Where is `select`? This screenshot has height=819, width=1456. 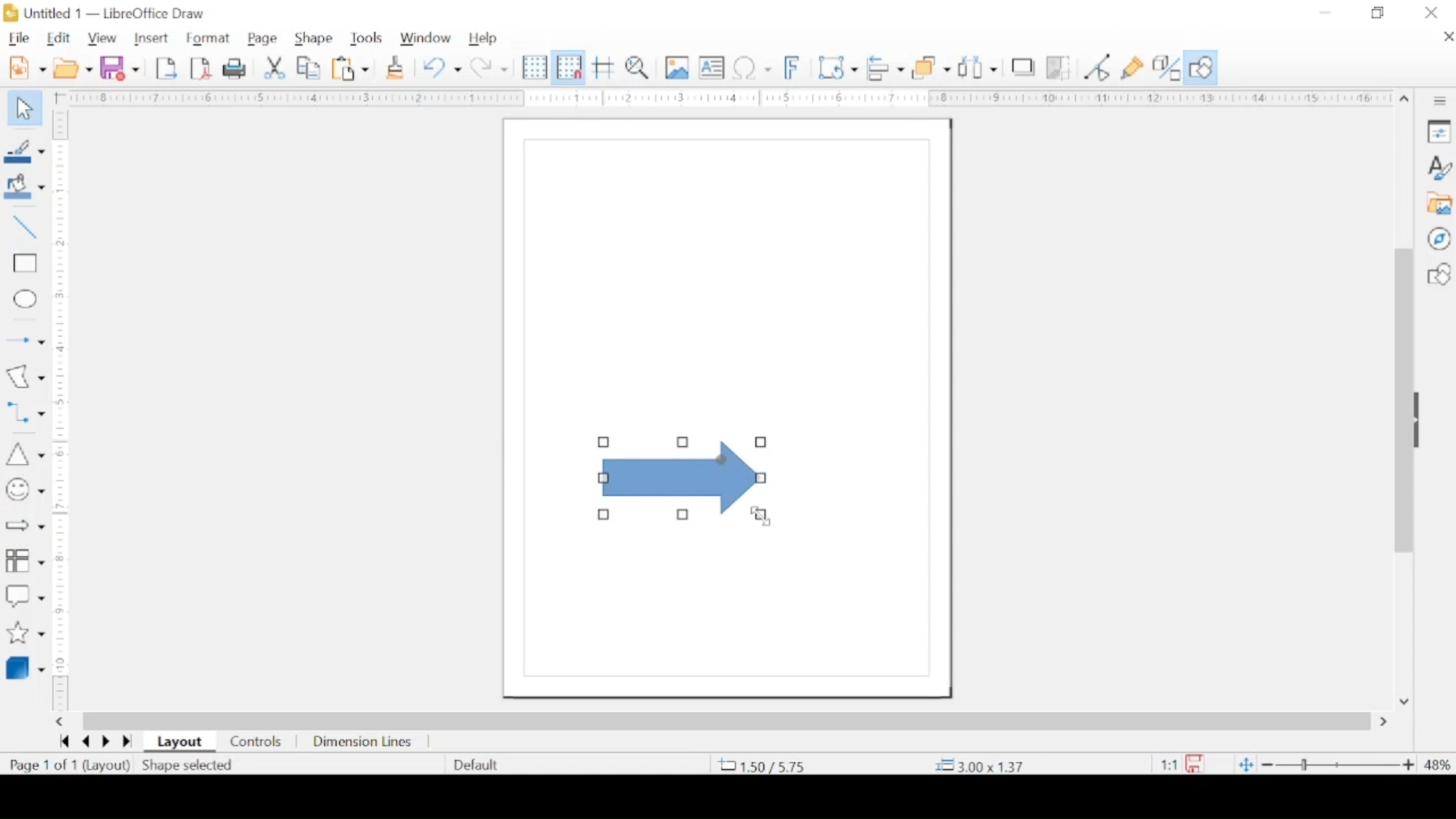 select is located at coordinates (24, 108).